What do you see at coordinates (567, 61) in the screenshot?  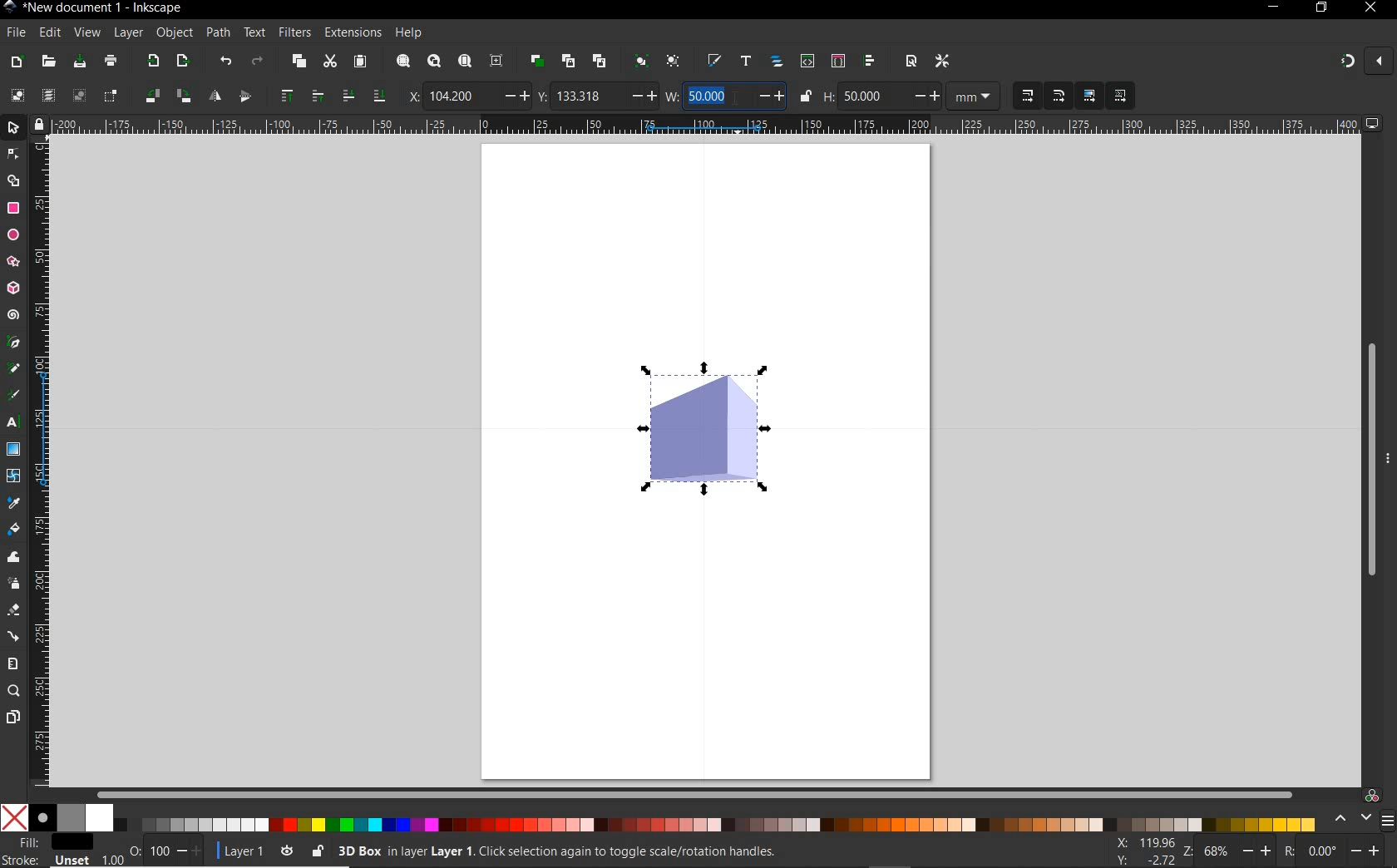 I see `create clone` at bounding box center [567, 61].